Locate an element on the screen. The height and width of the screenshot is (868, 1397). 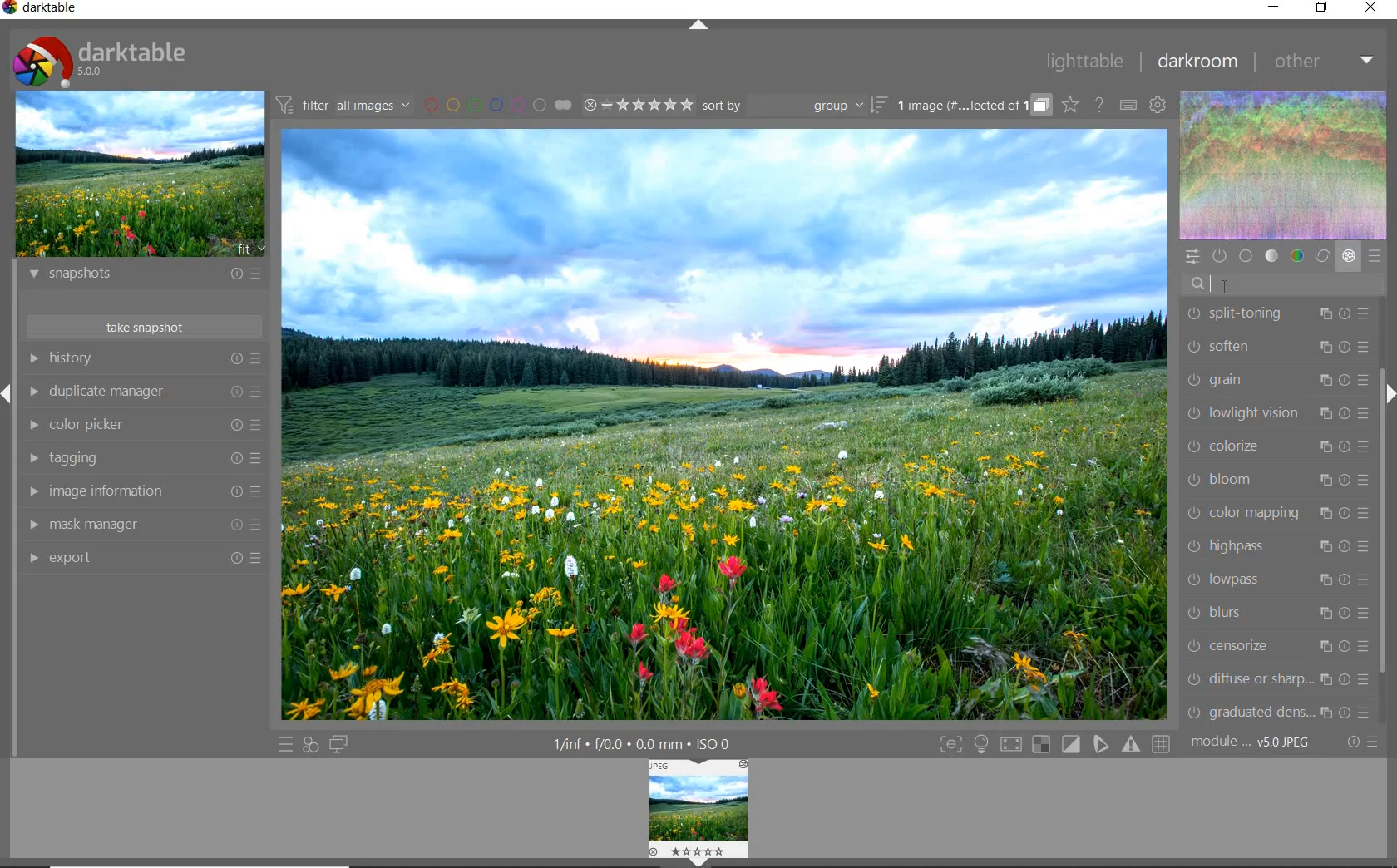
click to change overlays on thumbnails is located at coordinates (1069, 104).